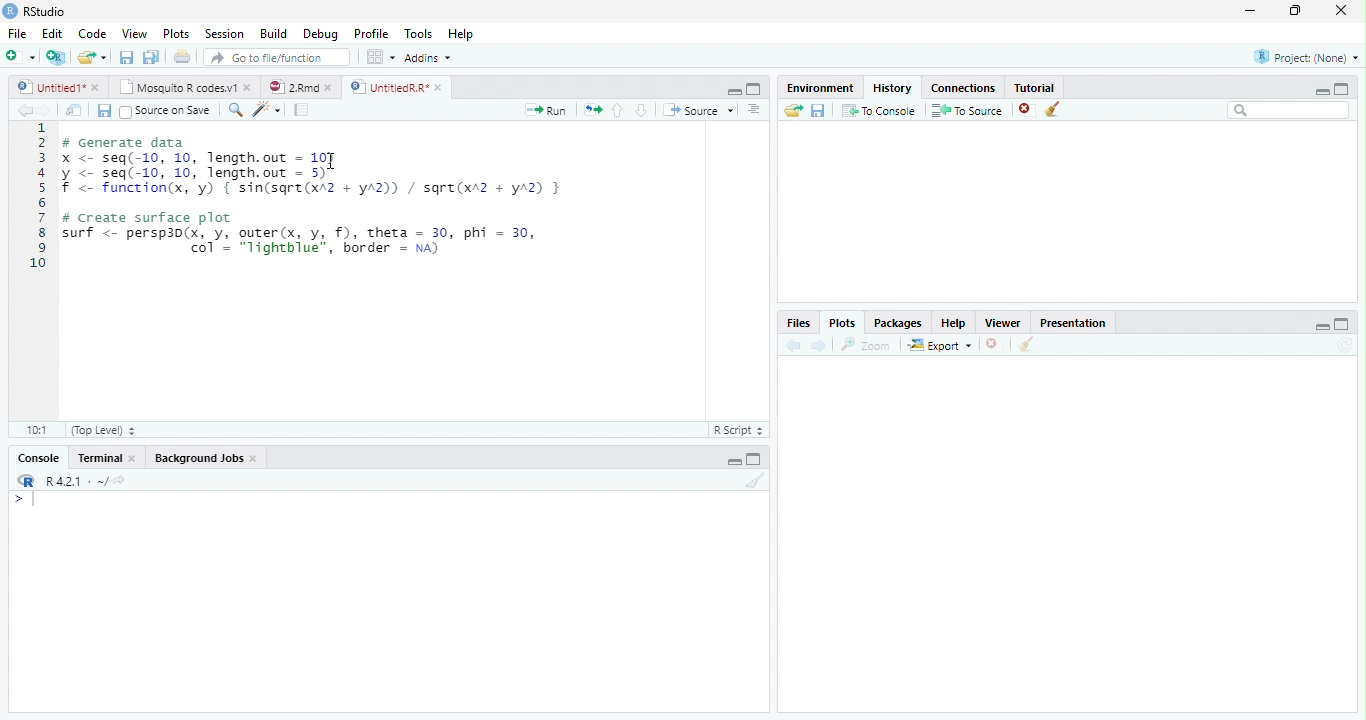 The image size is (1366, 720). What do you see at coordinates (24, 480) in the screenshot?
I see `R` at bounding box center [24, 480].